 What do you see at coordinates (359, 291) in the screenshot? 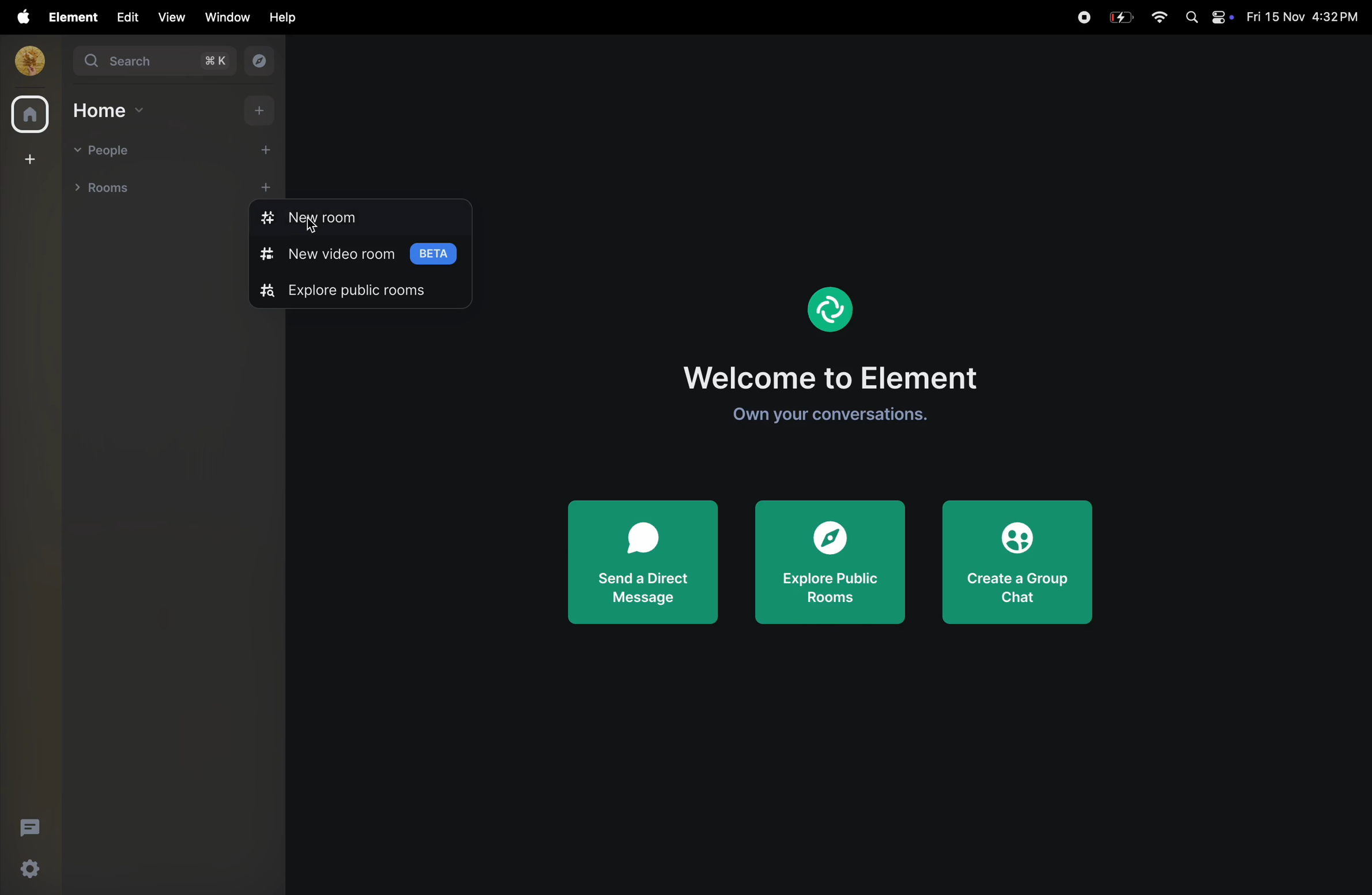
I see `explore public rooms` at bounding box center [359, 291].